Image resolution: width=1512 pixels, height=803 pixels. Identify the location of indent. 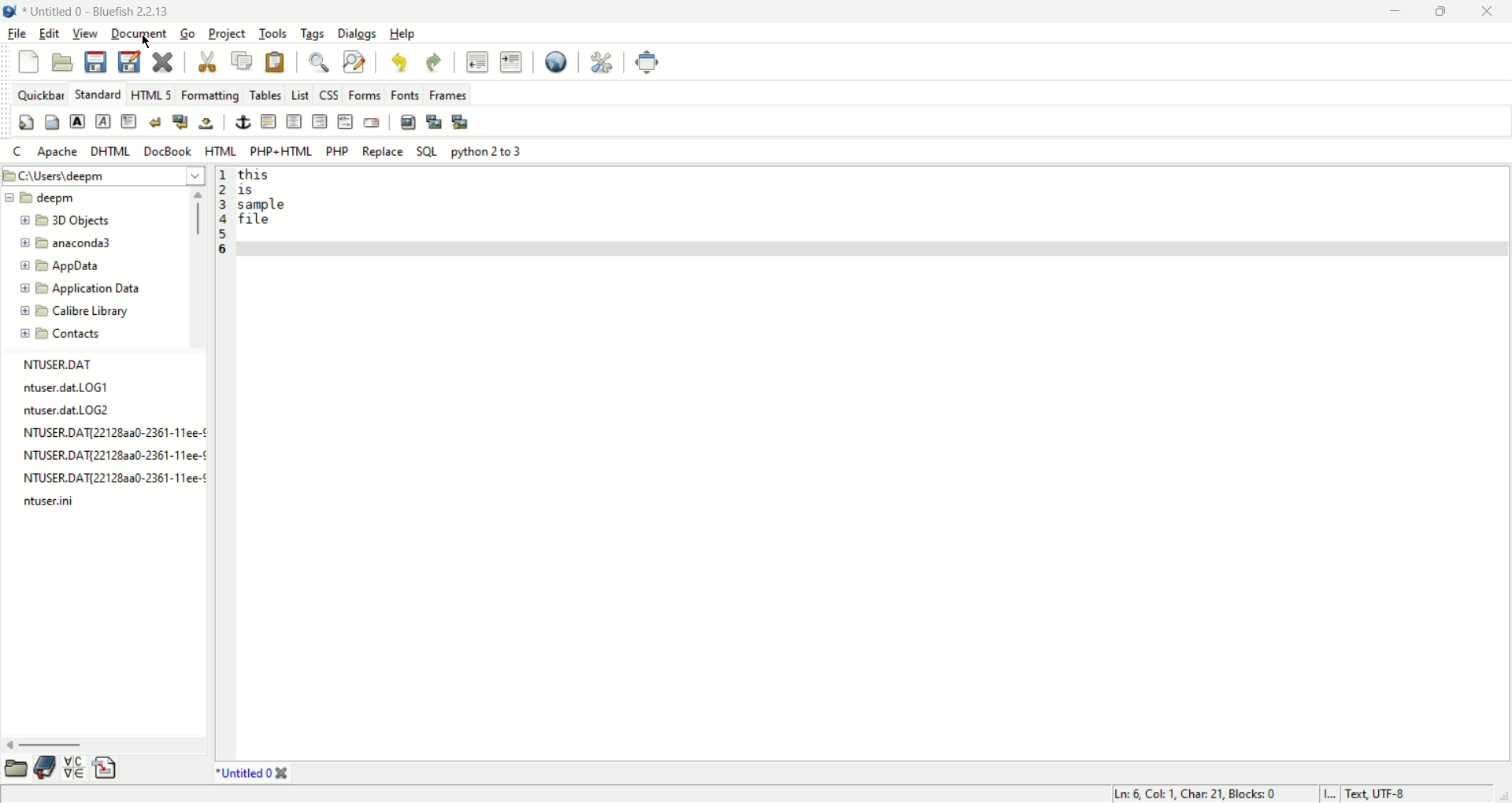
(510, 62).